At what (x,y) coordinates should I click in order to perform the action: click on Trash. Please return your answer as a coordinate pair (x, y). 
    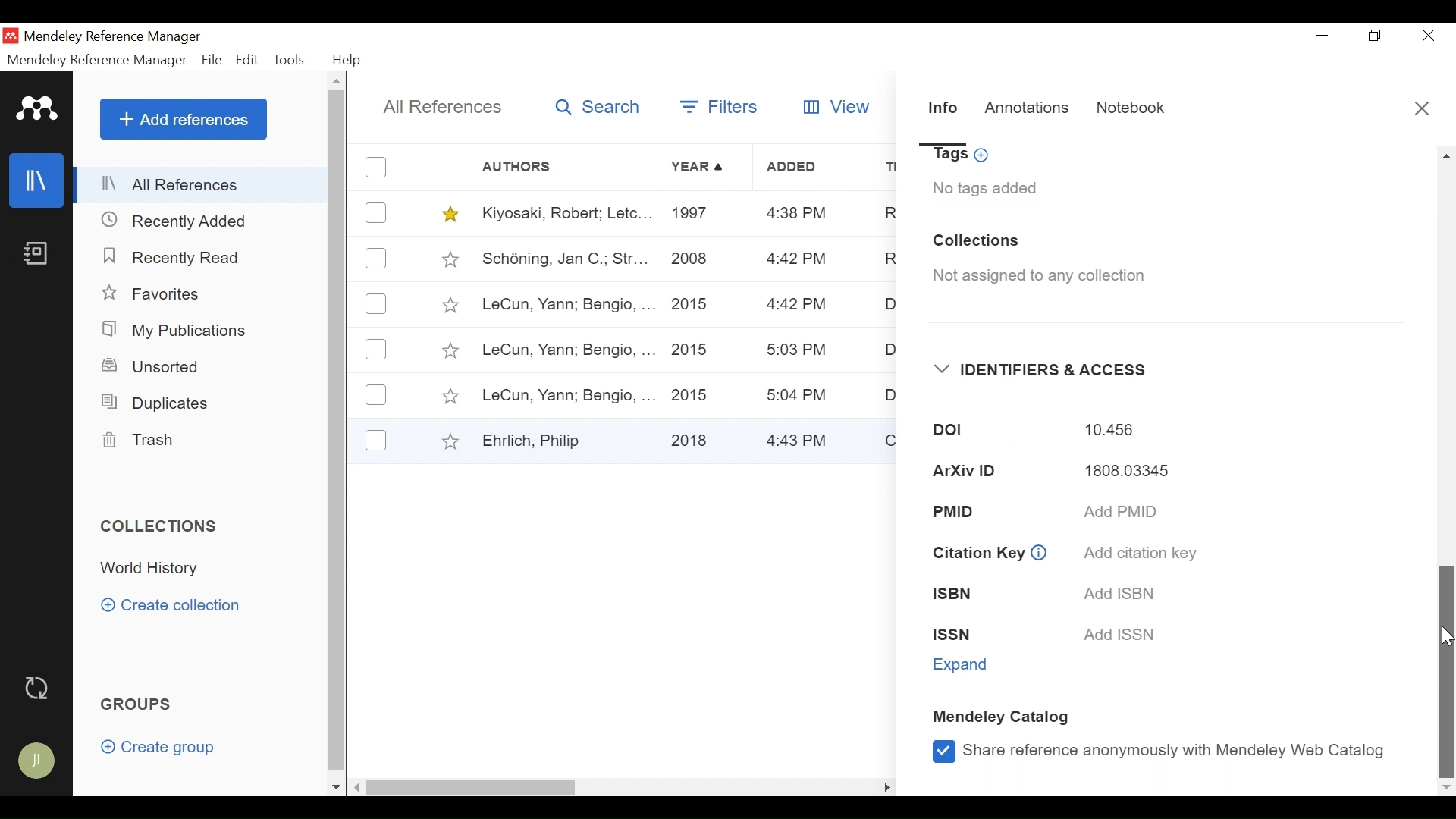
    Looking at the image, I should click on (142, 441).